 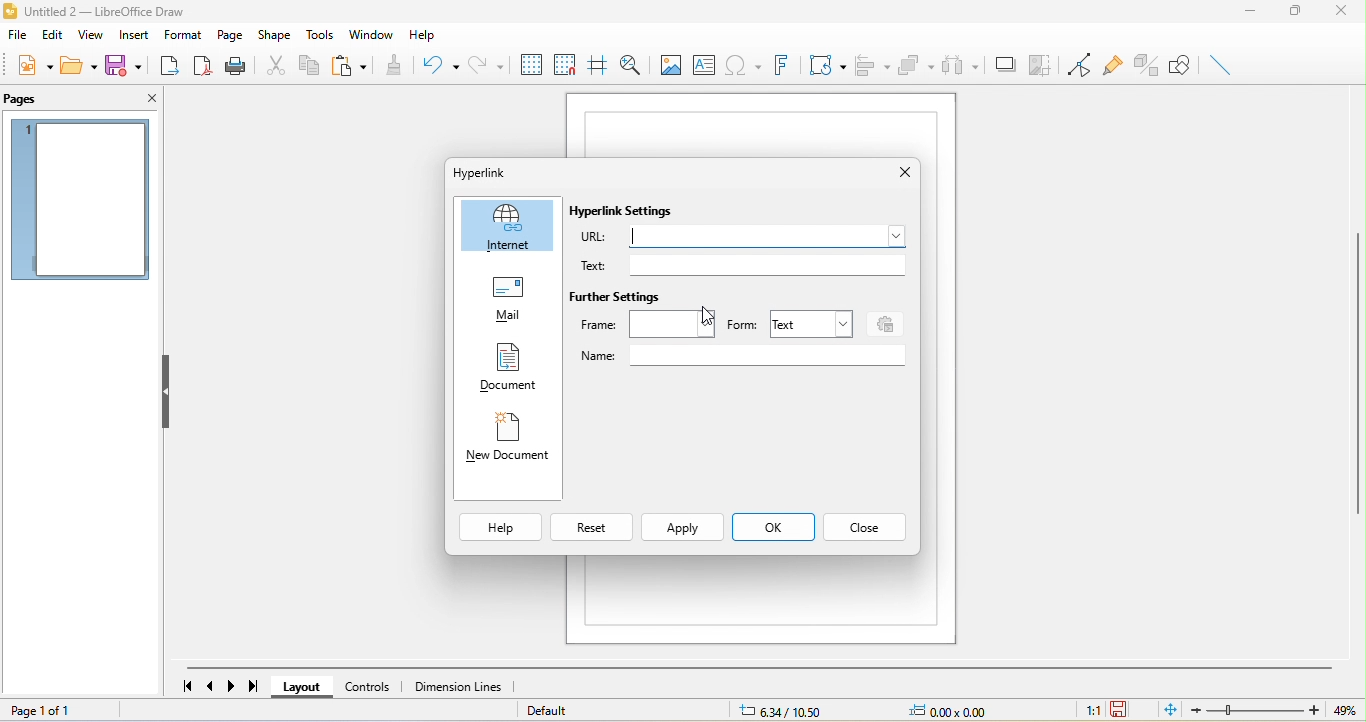 I want to click on hide, so click(x=167, y=390).